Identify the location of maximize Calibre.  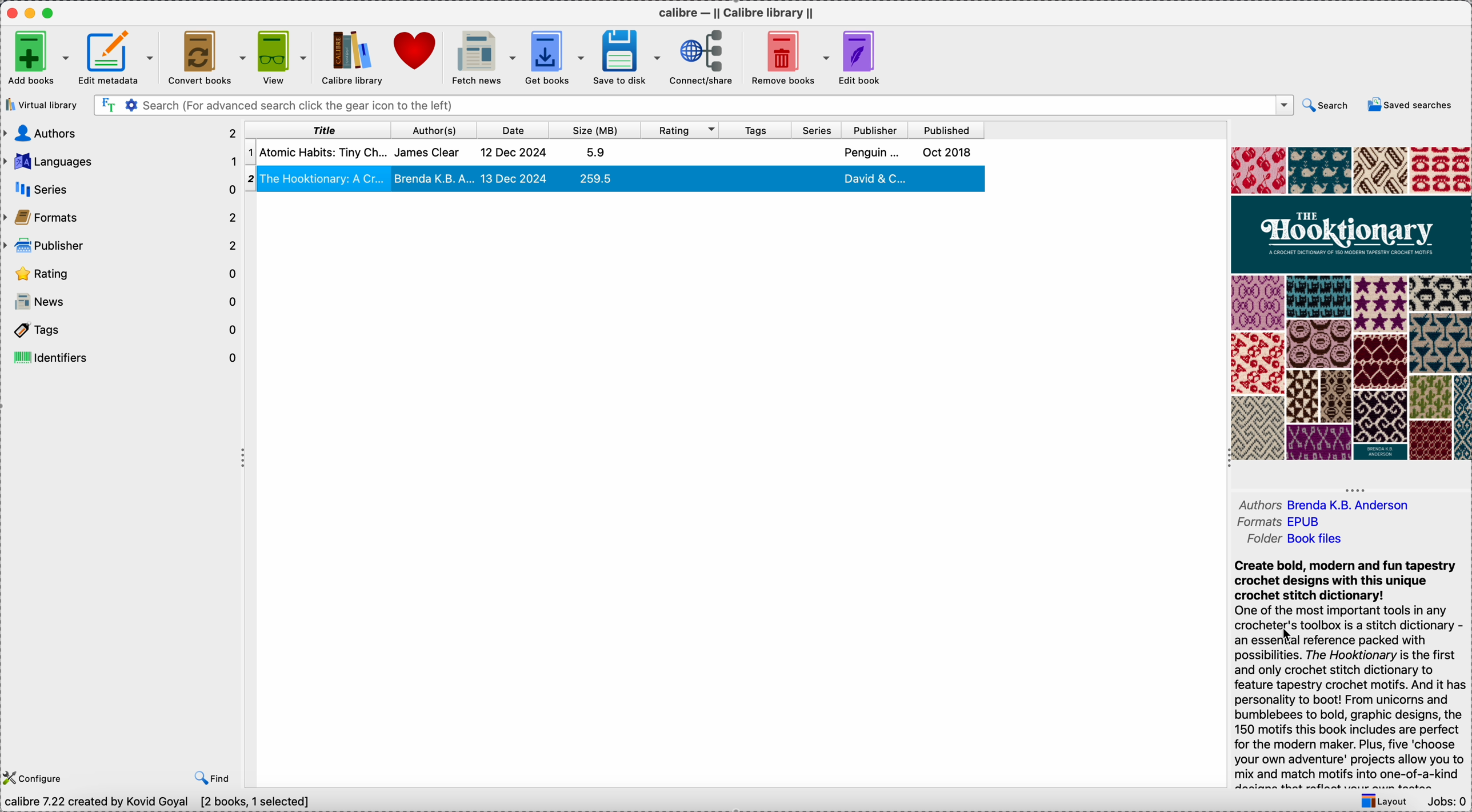
(56, 11).